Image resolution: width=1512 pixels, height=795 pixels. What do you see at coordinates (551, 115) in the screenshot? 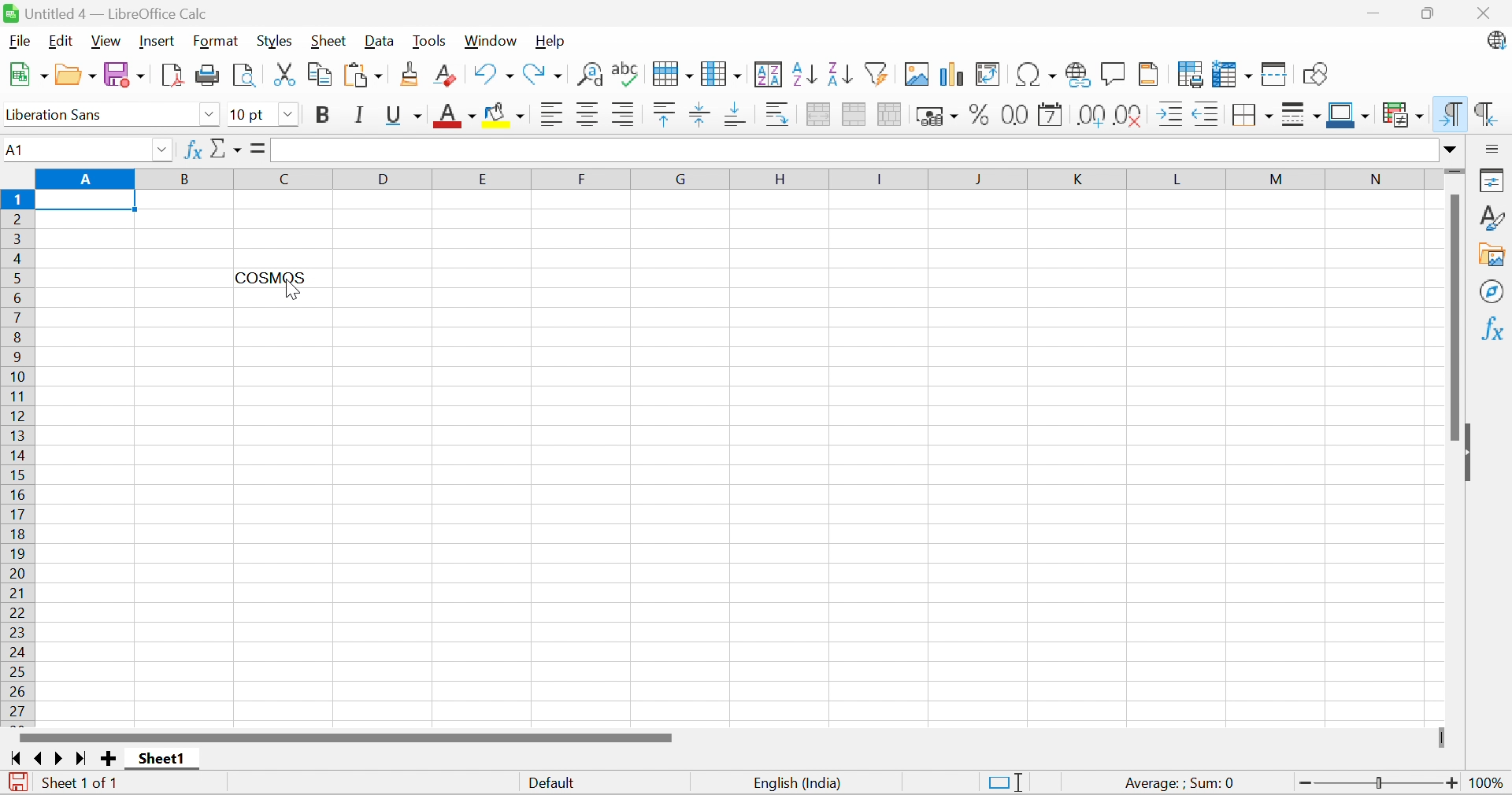
I see `Align Left` at bounding box center [551, 115].